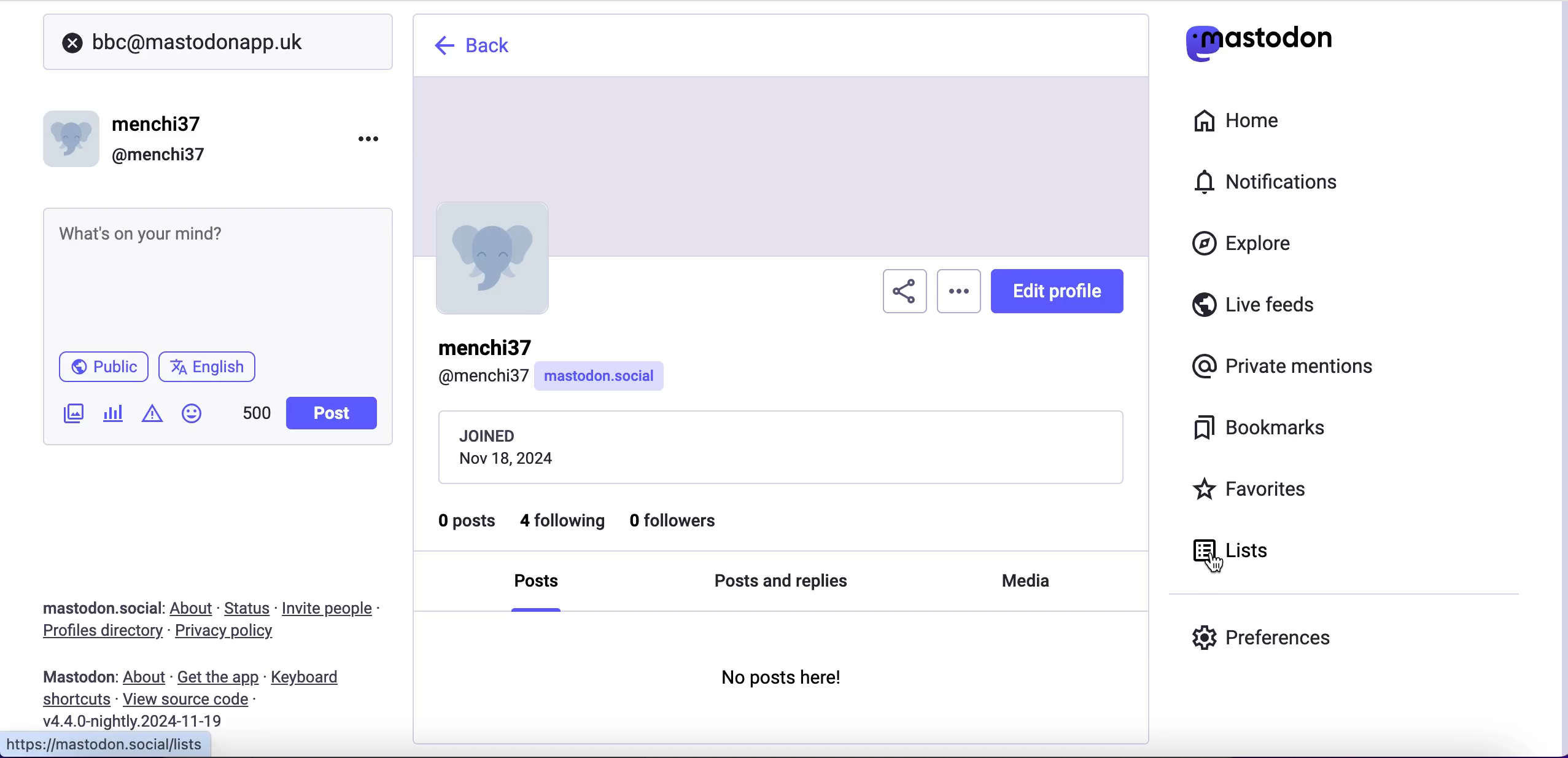 The width and height of the screenshot is (1568, 758). What do you see at coordinates (194, 608) in the screenshot?
I see `about` at bounding box center [194, 608].